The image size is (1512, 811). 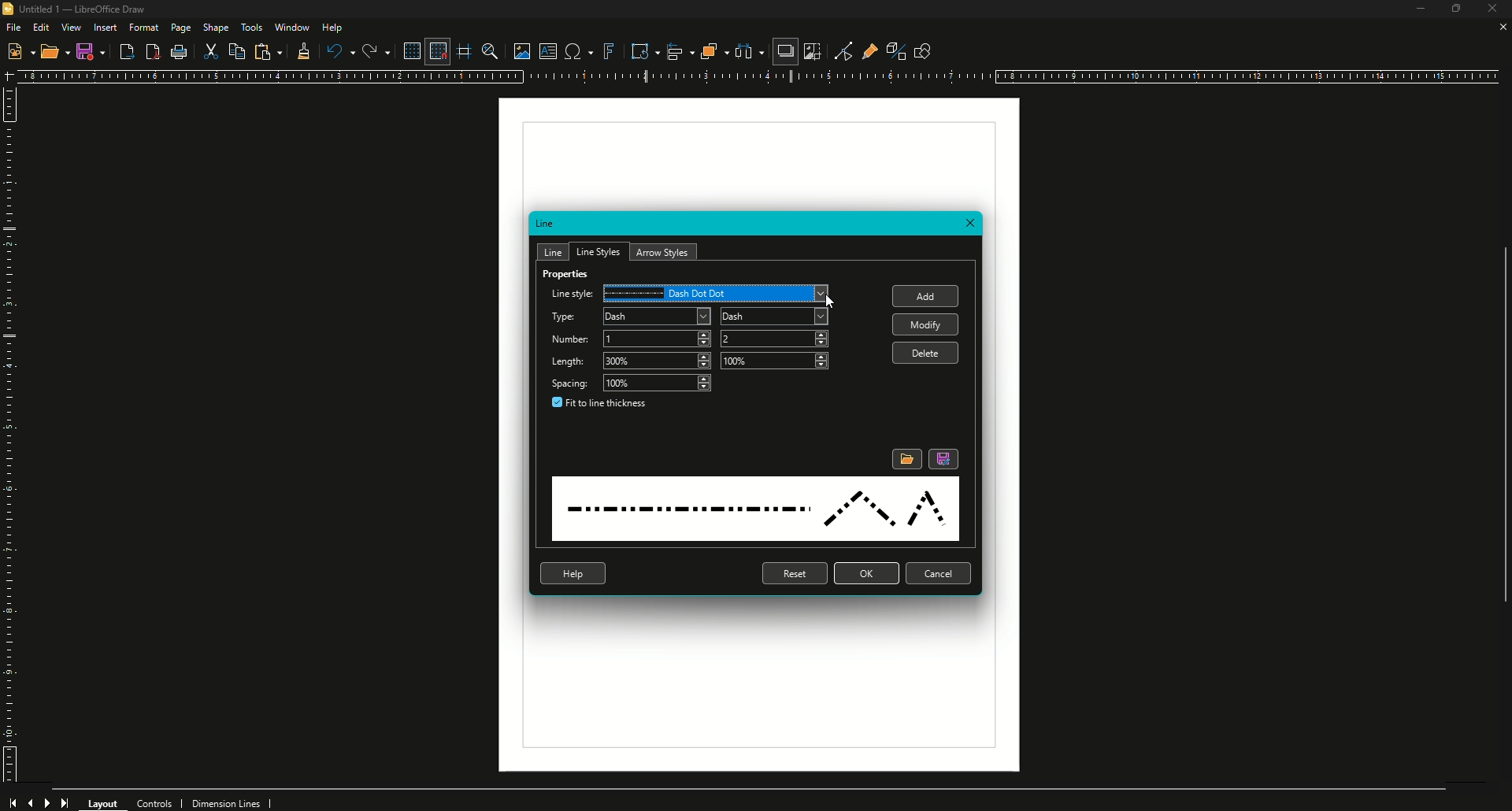 I want to click on Load Line Style, so click(x=906, y=458).